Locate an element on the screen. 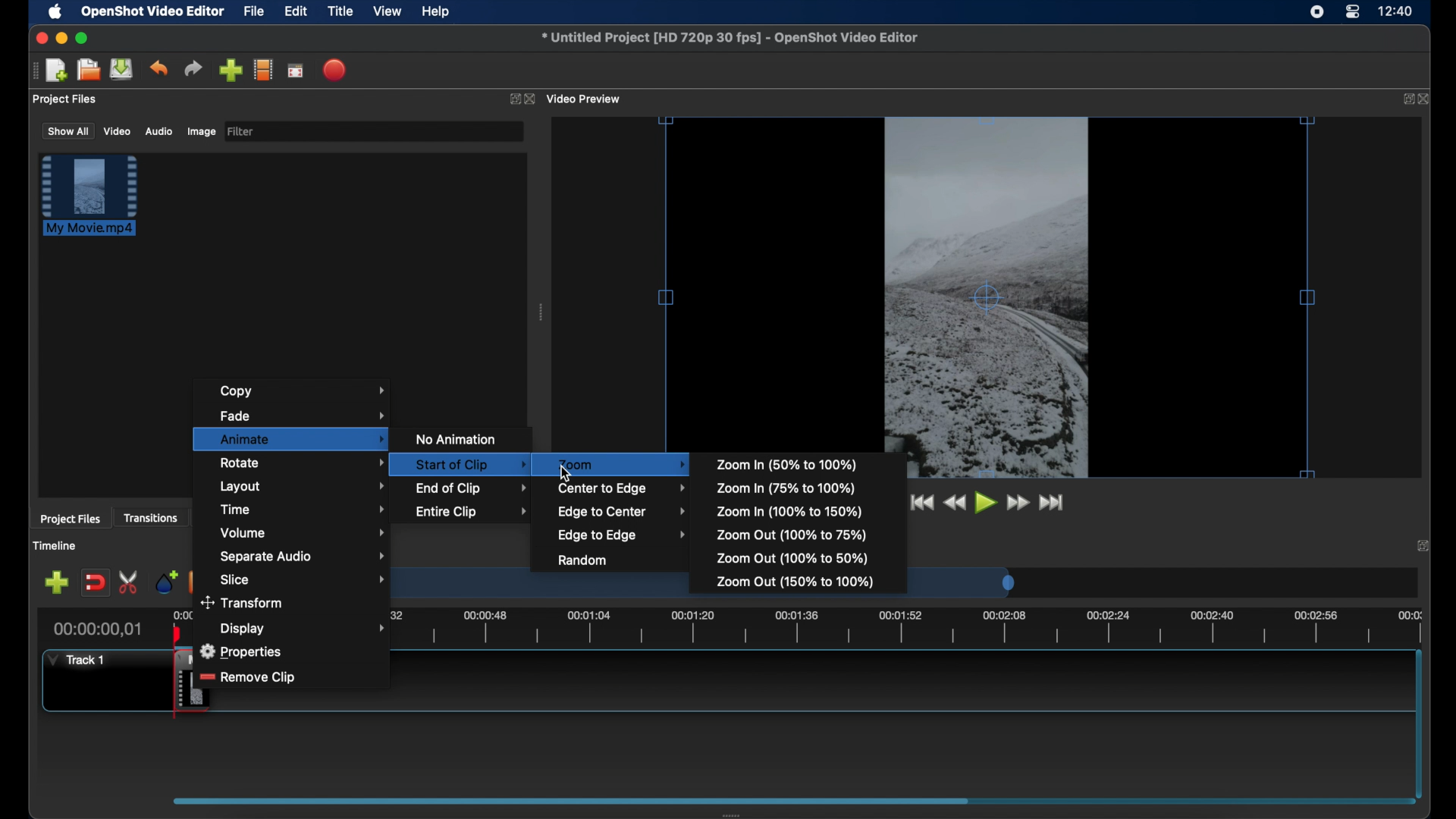  enable razor is located at coordinates (130, 581).